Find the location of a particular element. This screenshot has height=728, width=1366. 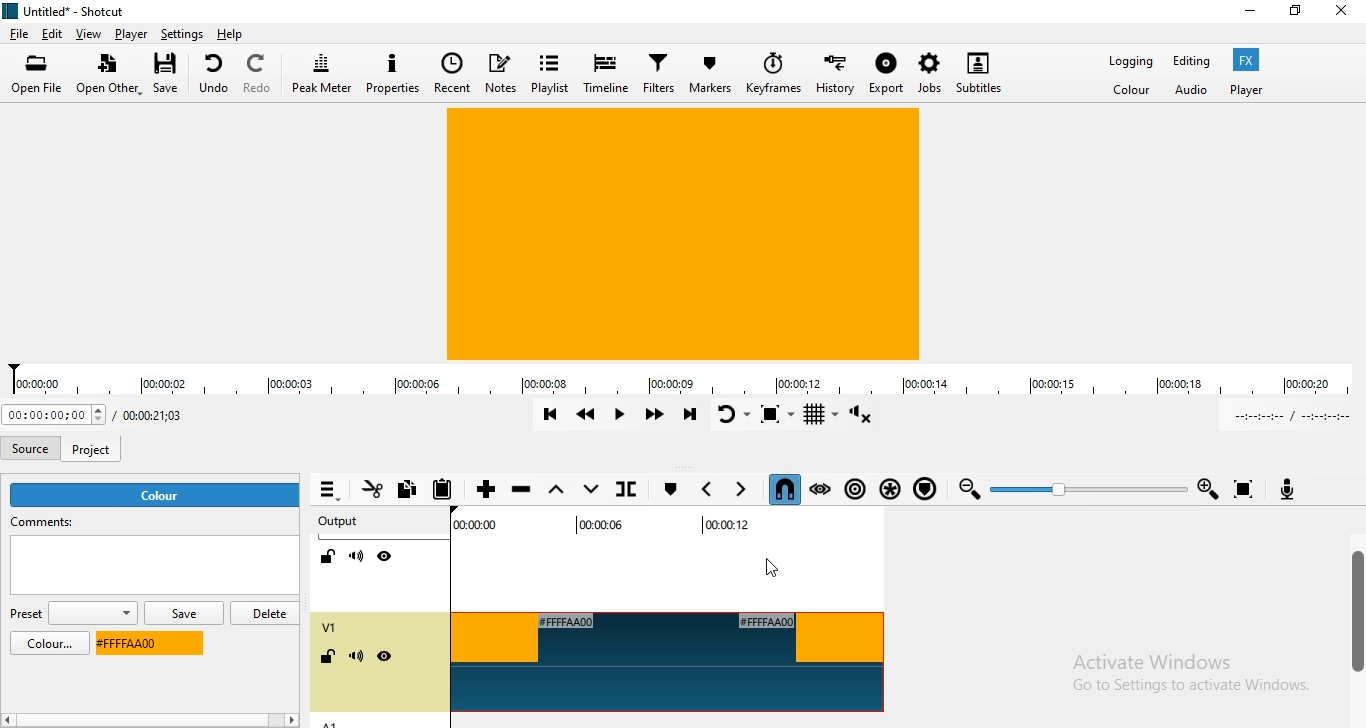

color is located at coordinates (157, 495).